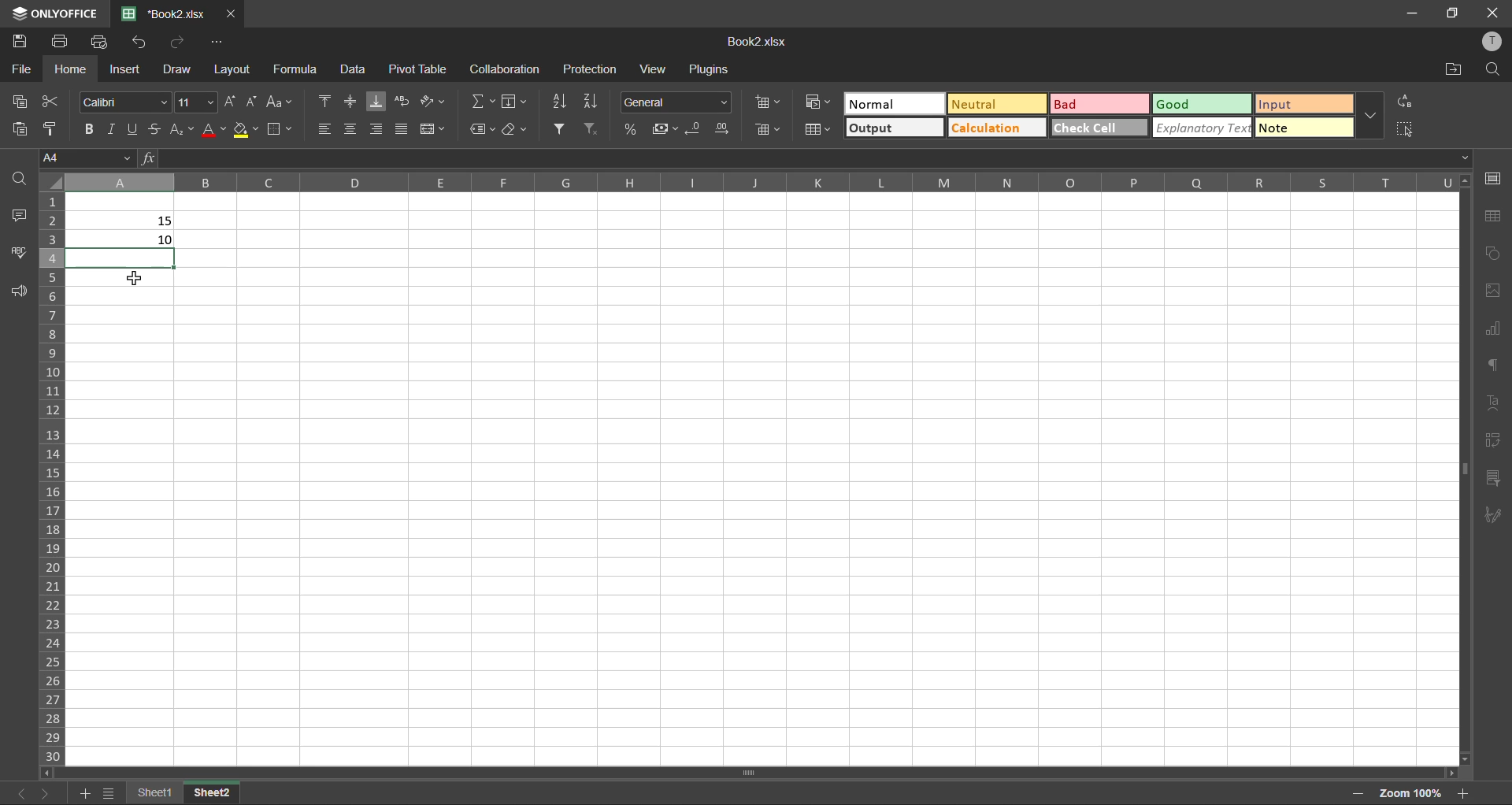 This screenshot has height=805, width=1512. What do you see at coordinates (25, 101) in the screenshot?
I see `copy` at bounding box center [25, 101].